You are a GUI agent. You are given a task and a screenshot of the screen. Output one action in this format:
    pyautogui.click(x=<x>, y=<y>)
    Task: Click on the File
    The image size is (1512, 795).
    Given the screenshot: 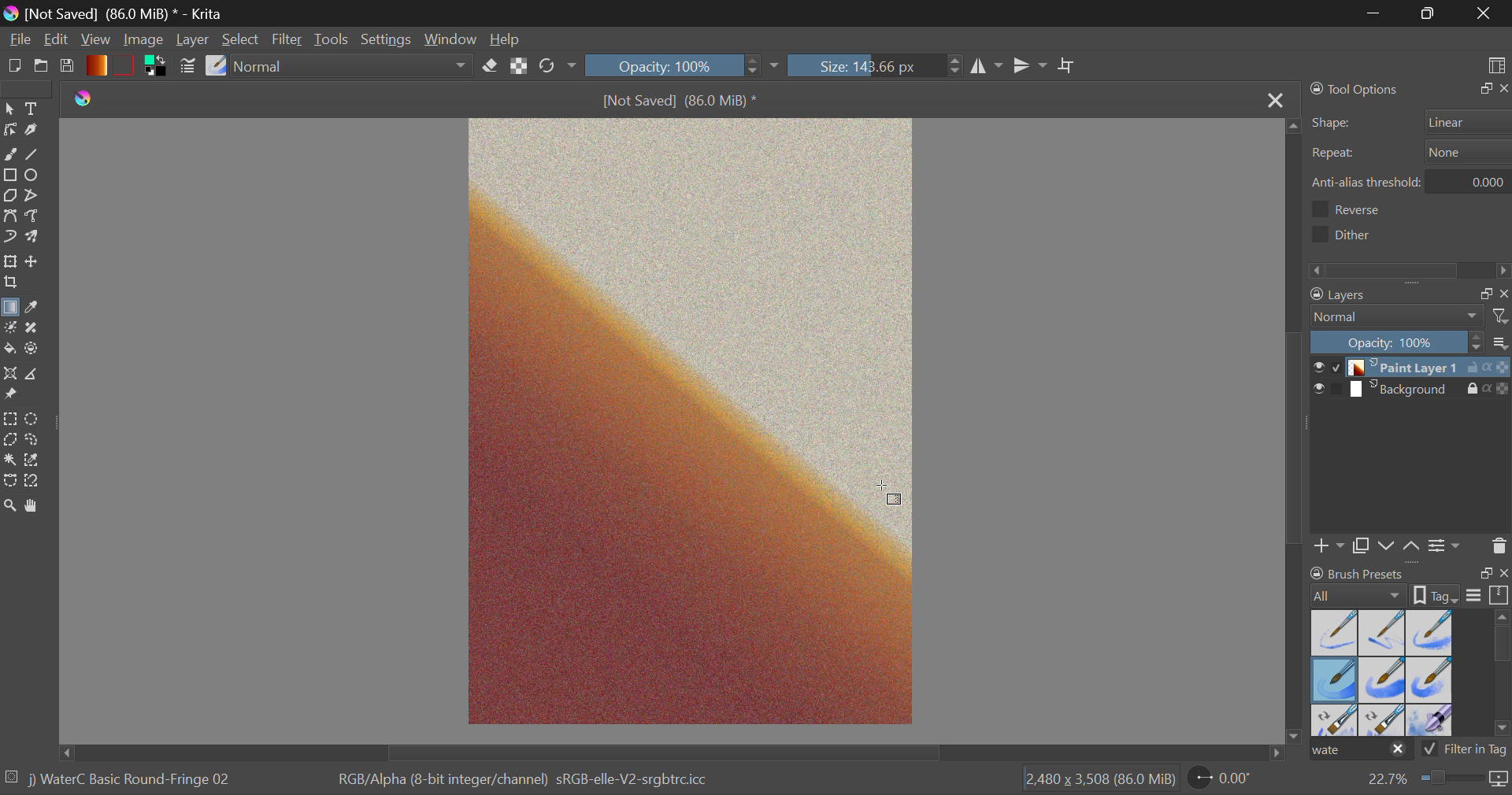 What is the action you would take?
    pyautogui.click(x=18, y=38)
    